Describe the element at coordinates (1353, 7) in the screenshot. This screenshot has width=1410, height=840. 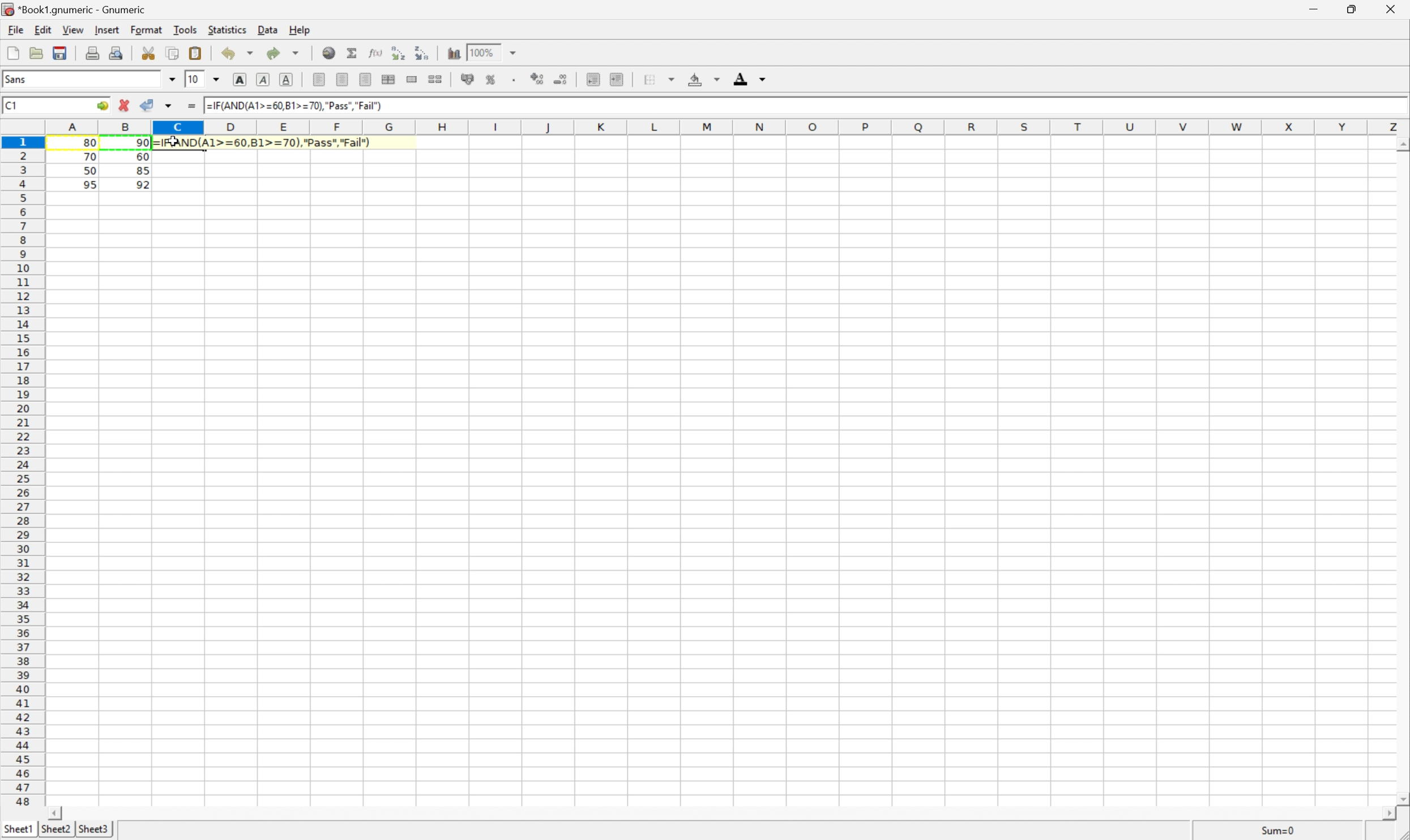
I see `Restore Down` at that location.